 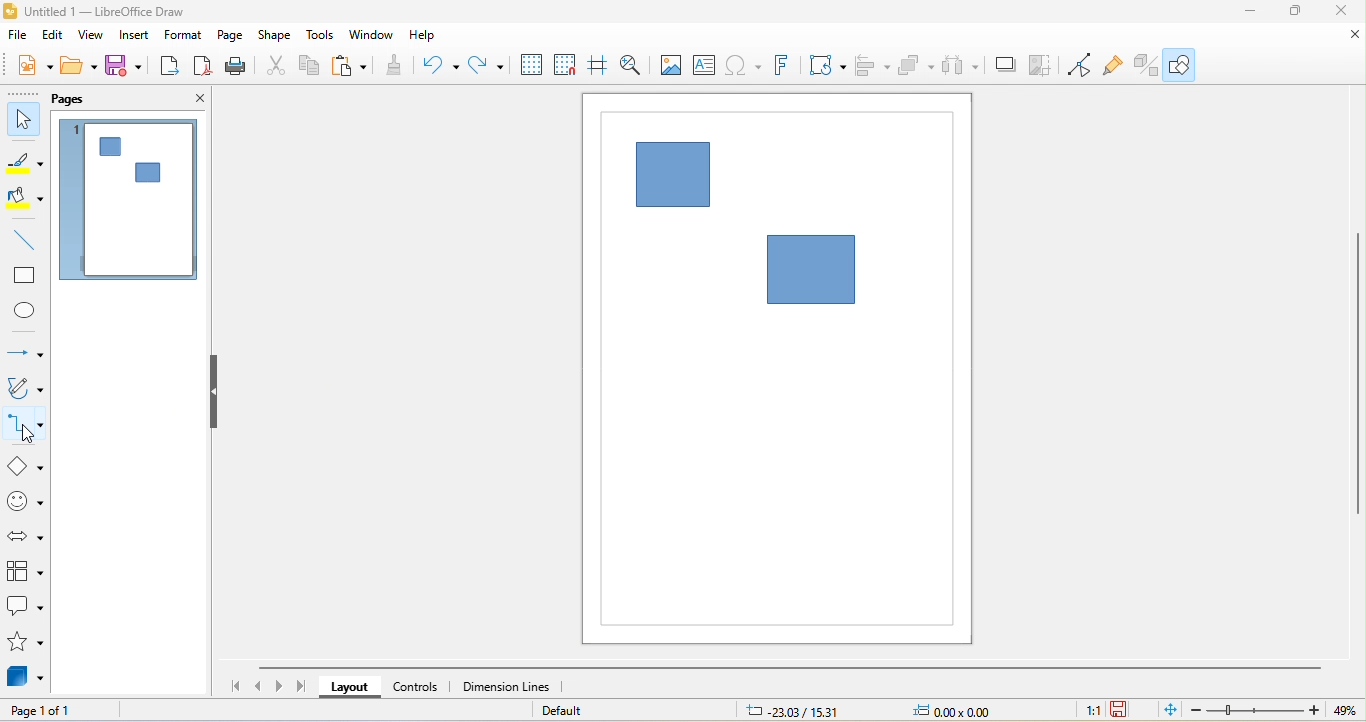 I want to click on cut, so click(x=275, y=67).